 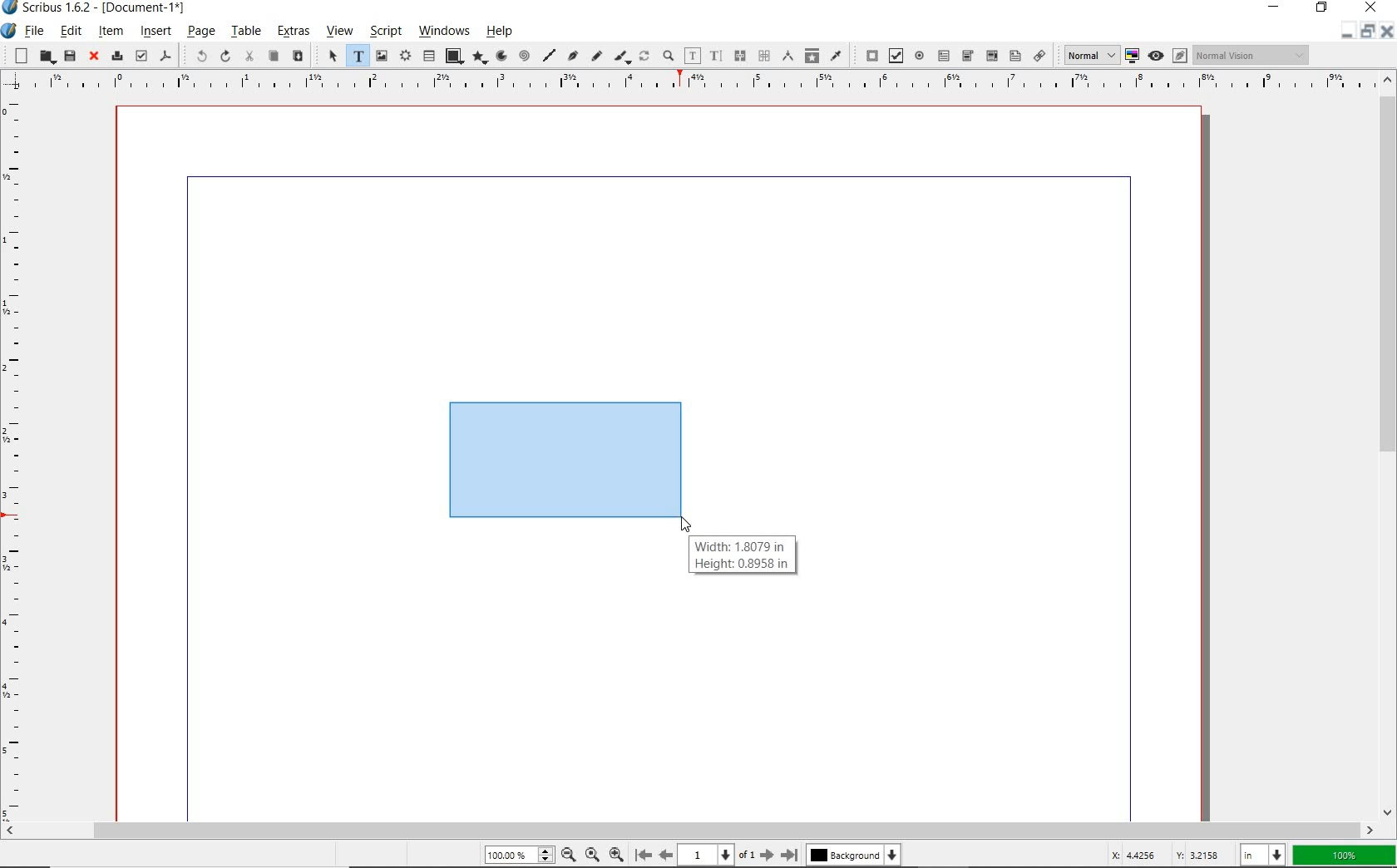 What do you see at coordinates (520, 856) in the screenshot?
I see `Zoom 100.00%` at bounding box center [520, 856].